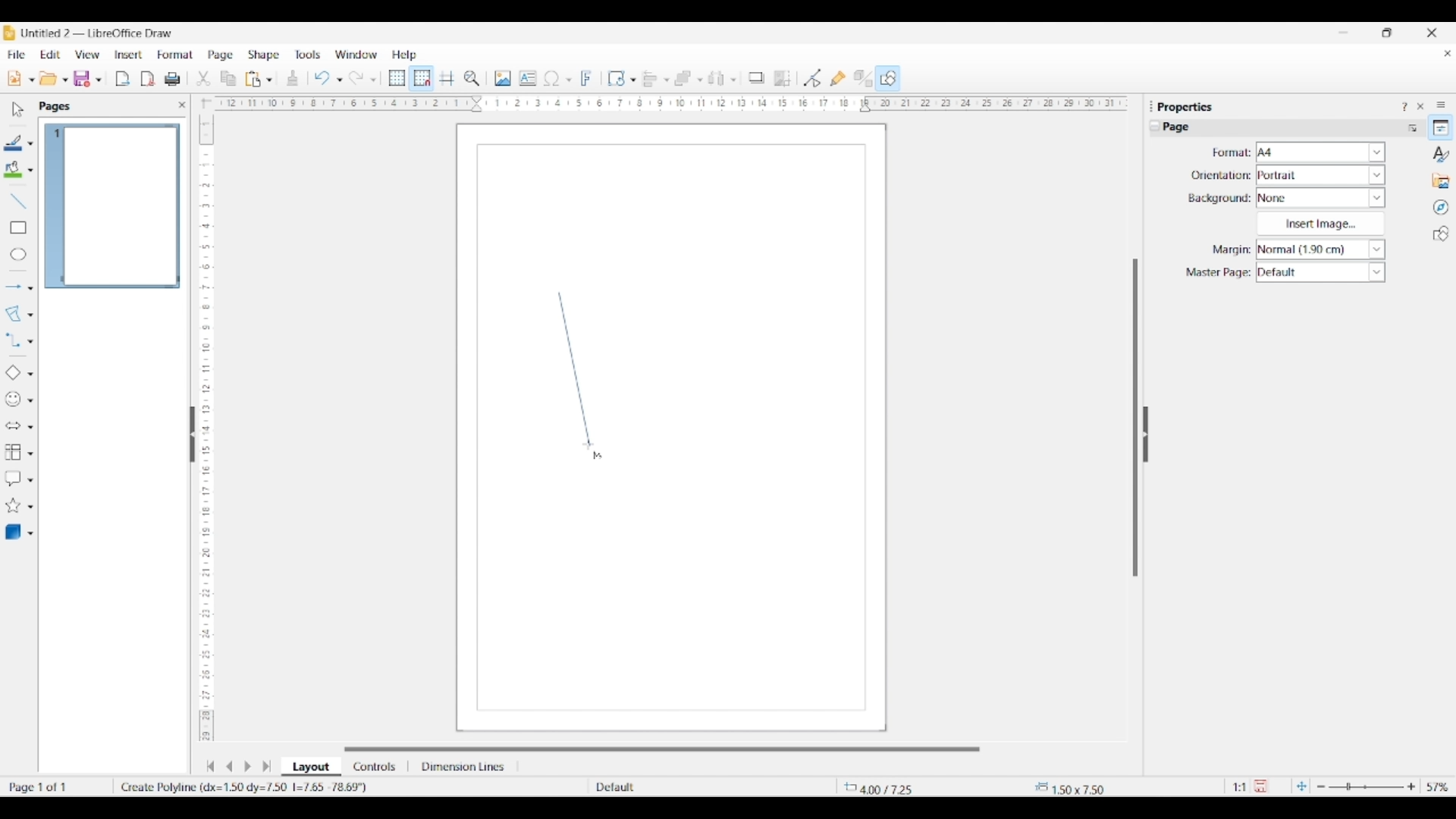 This screenshot has width=1456, height=819. Describe the element at coordinates (32, 80) in the screenshot. I see `New document format options` at that location.